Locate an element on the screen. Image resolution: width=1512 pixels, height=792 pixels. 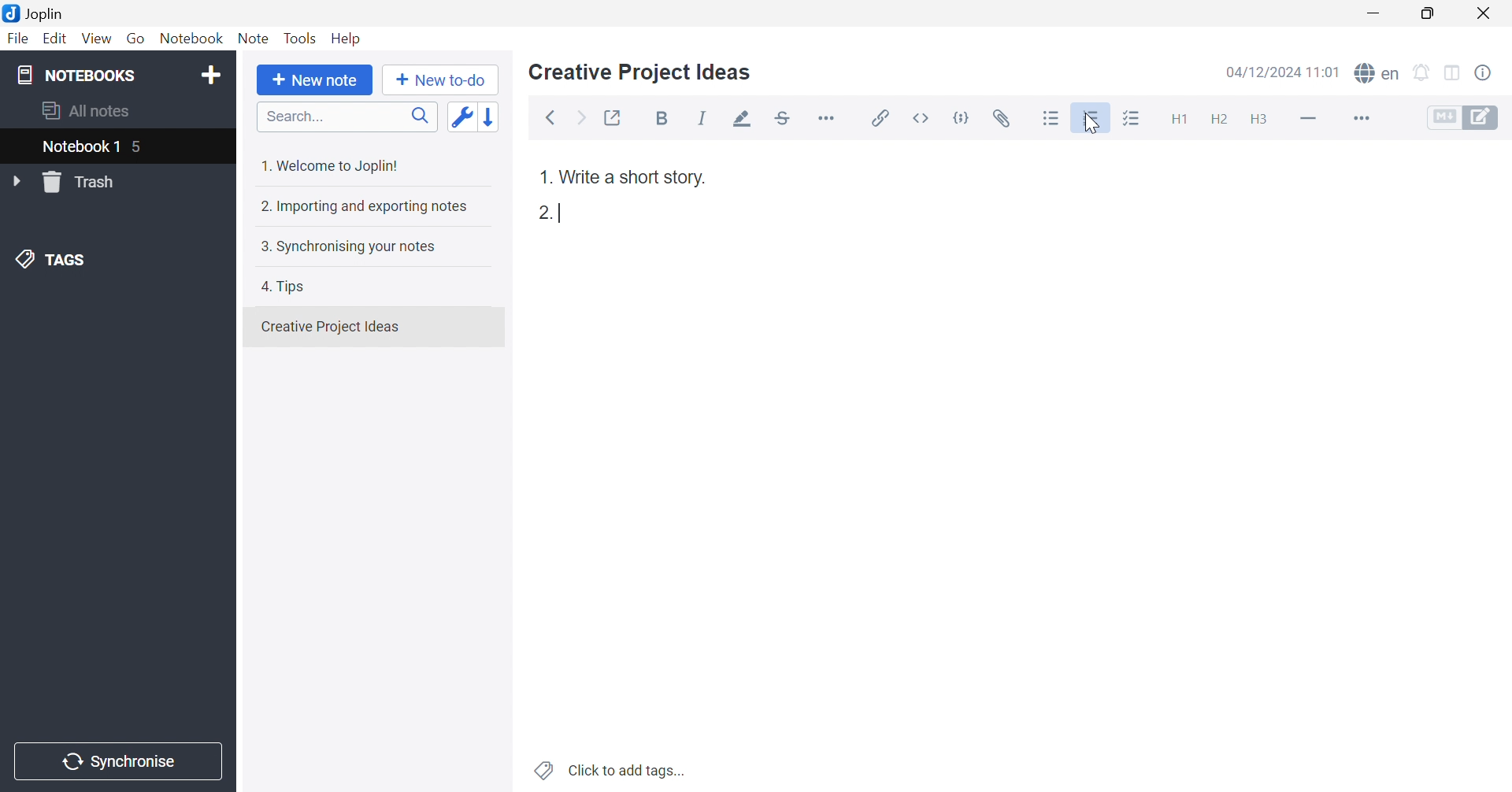
Strikethrough is located at coordinates (787, 120).